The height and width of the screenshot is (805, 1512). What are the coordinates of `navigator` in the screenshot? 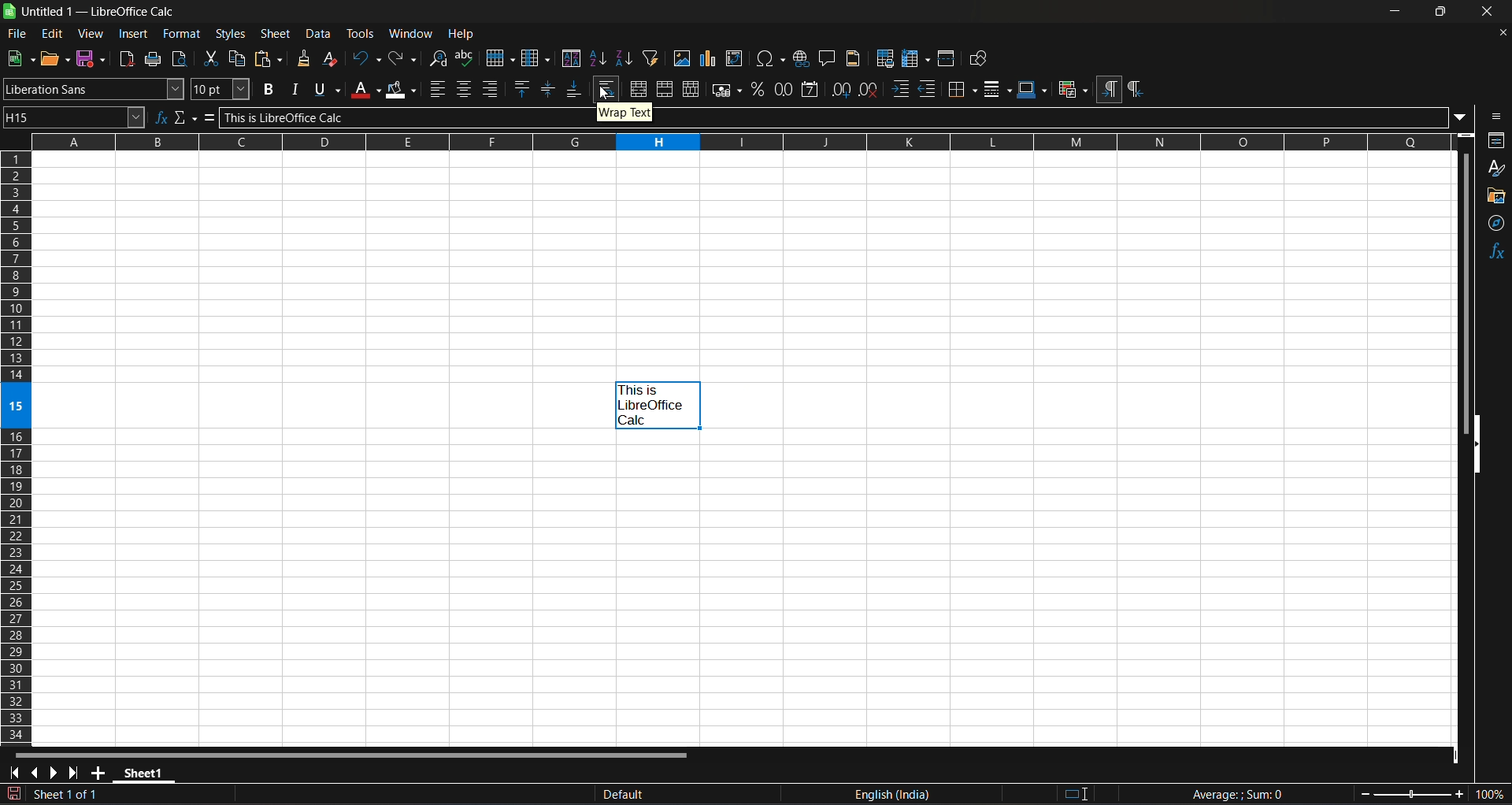 It's located at (1494, 225).